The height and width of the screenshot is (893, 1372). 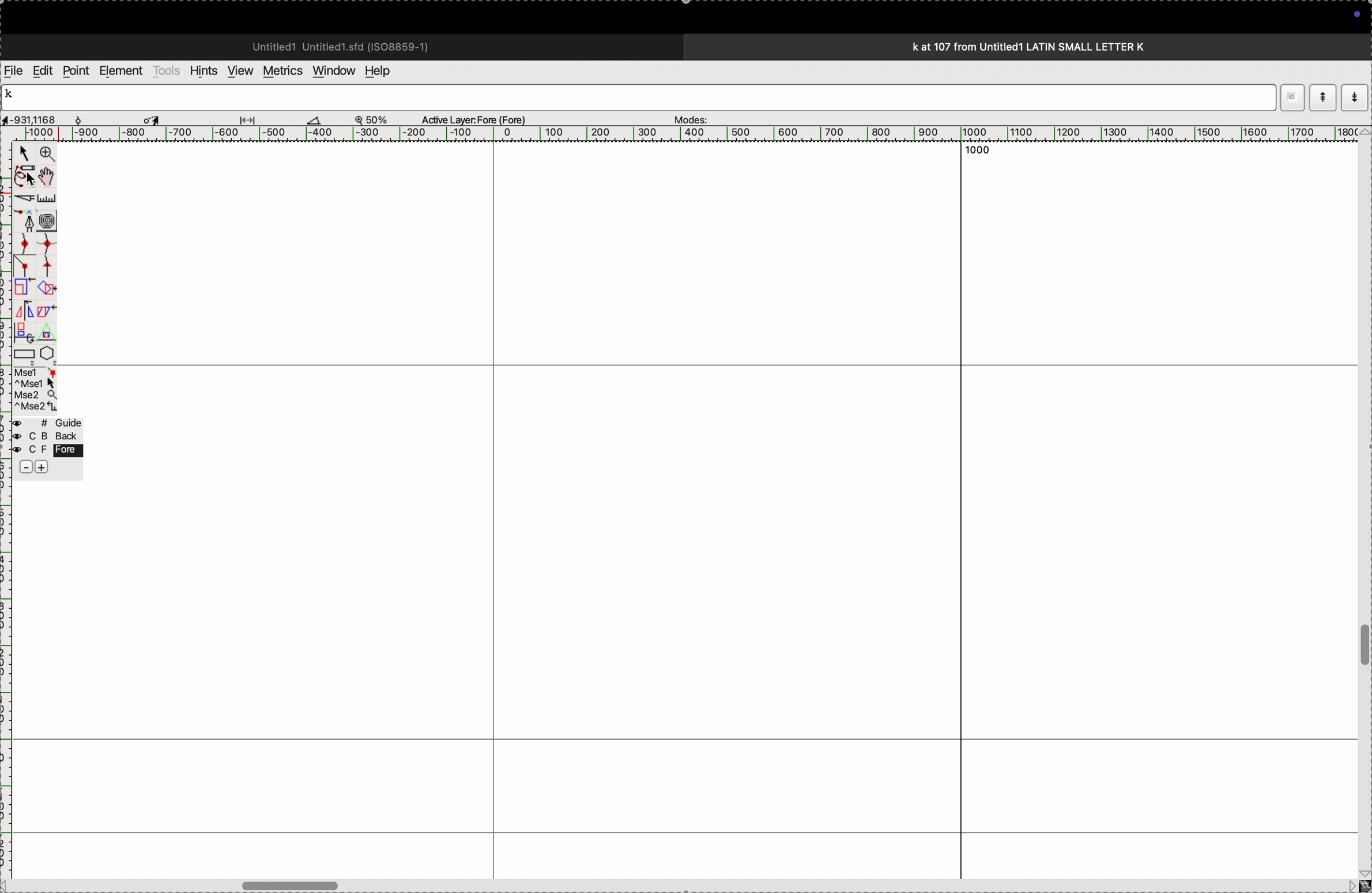 I want to click on zoom, so click(x=377, y=119).